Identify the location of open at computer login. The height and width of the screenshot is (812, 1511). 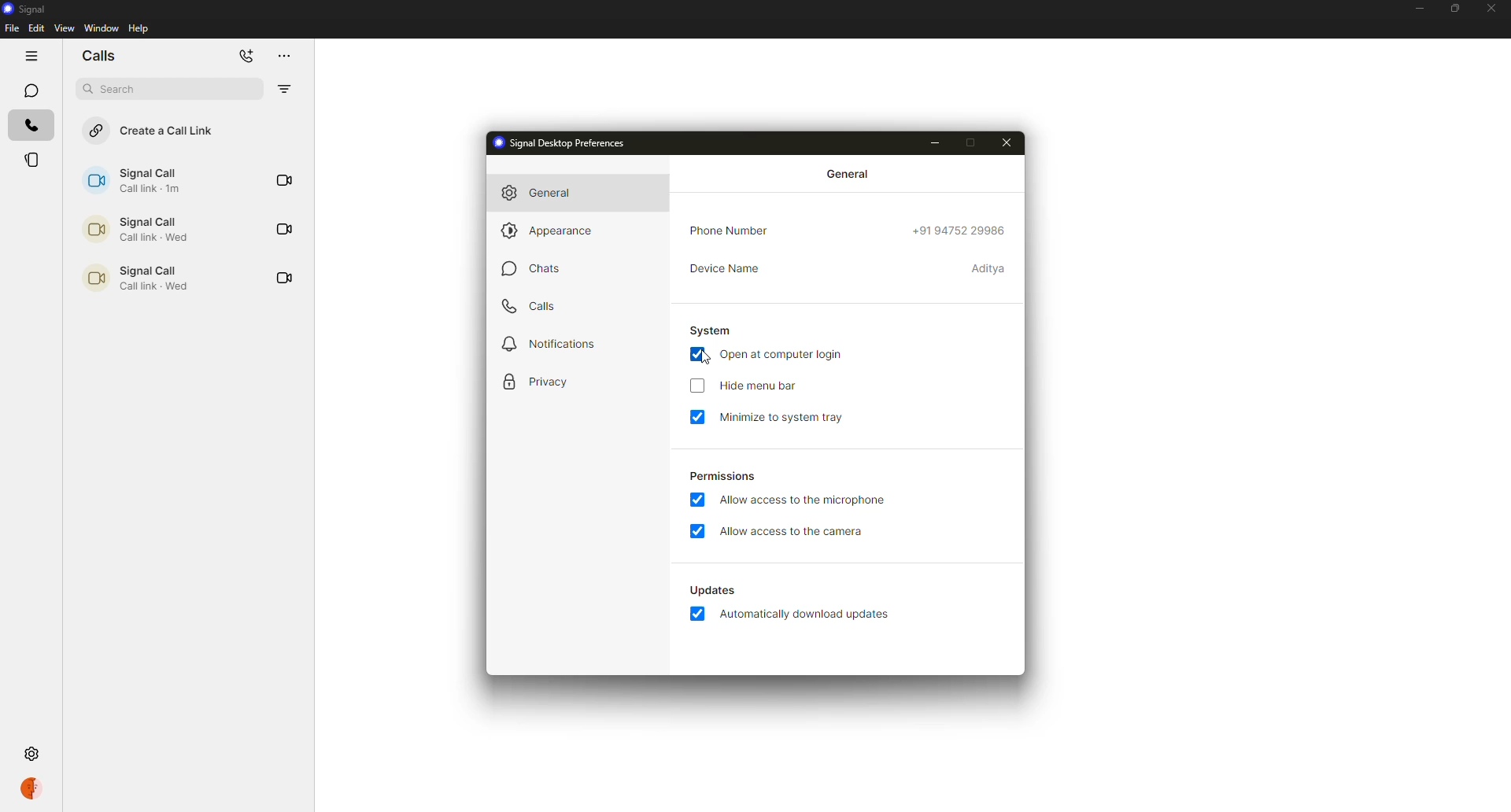
(784, 355).